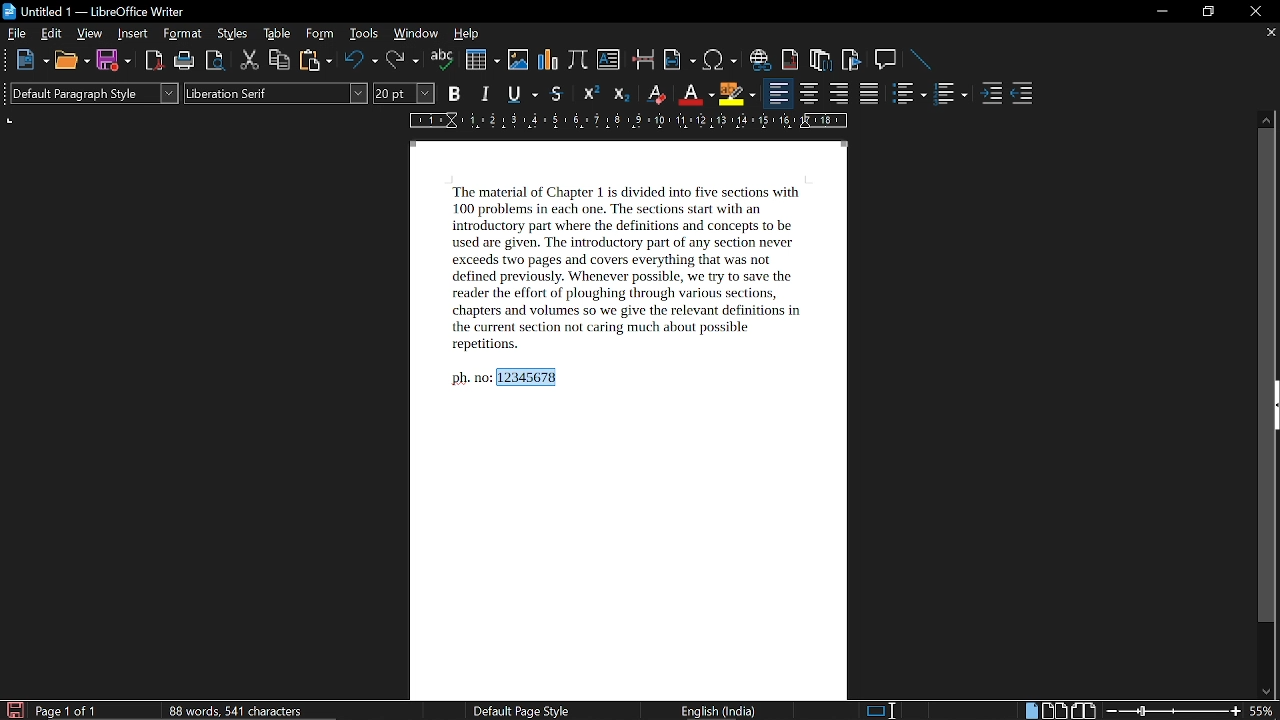 The image size is (1280, 720). Describe the element at coordinates (322, 35) in the screenshot. I see `form` at that location.